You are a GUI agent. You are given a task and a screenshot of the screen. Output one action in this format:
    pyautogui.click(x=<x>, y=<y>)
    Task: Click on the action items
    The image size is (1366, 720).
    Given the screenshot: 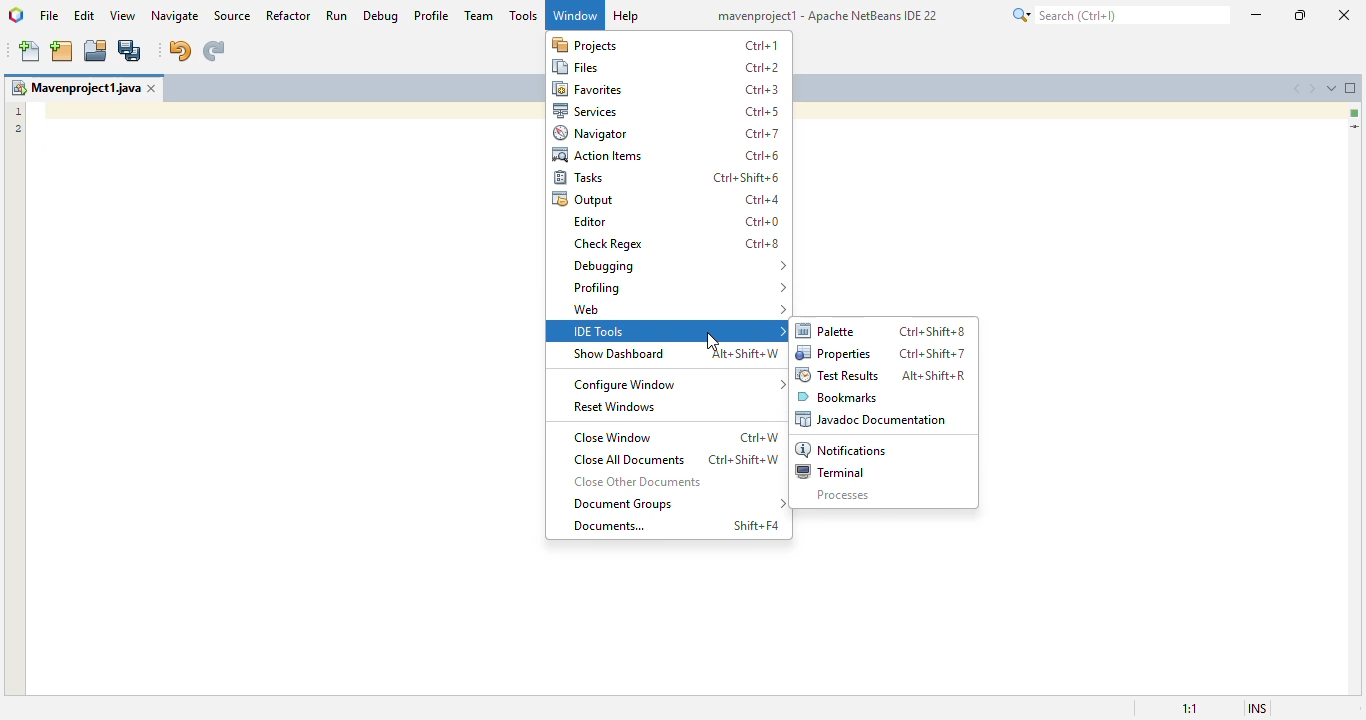 What is the action you would take?
    pyautogui.click(x=598, y=155)
    